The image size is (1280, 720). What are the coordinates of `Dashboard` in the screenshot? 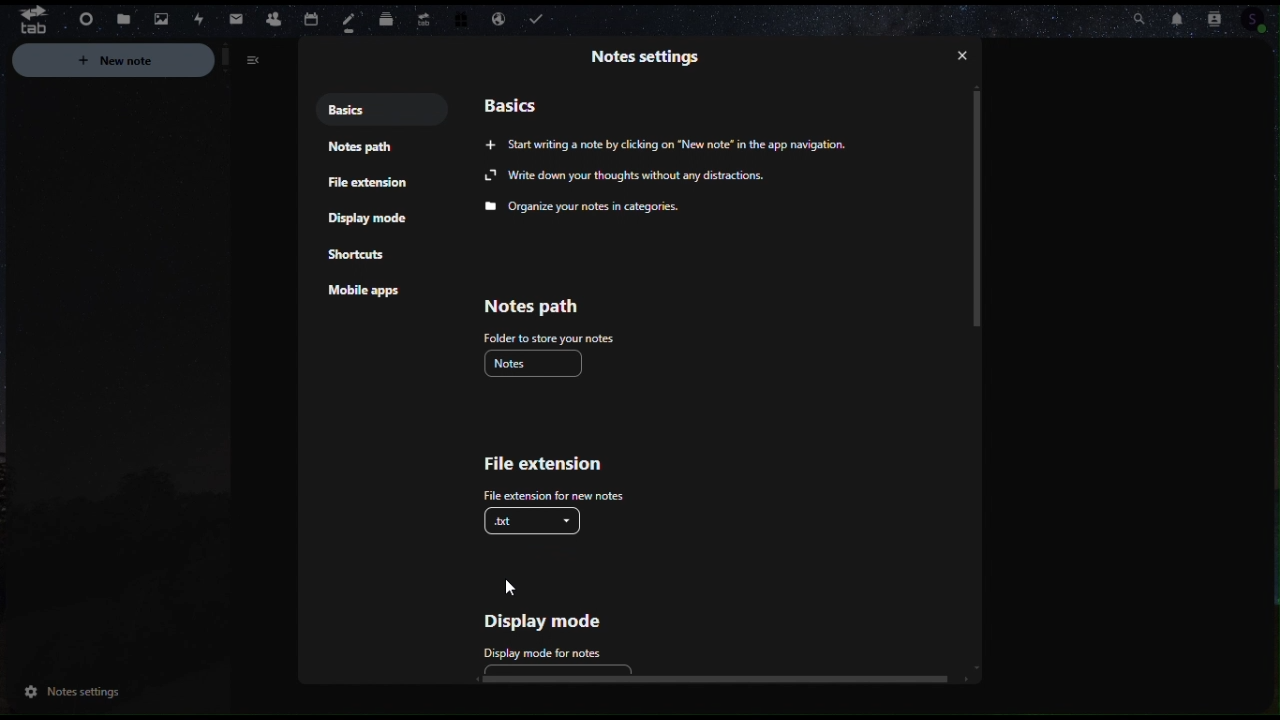 It's located at (83, 21).